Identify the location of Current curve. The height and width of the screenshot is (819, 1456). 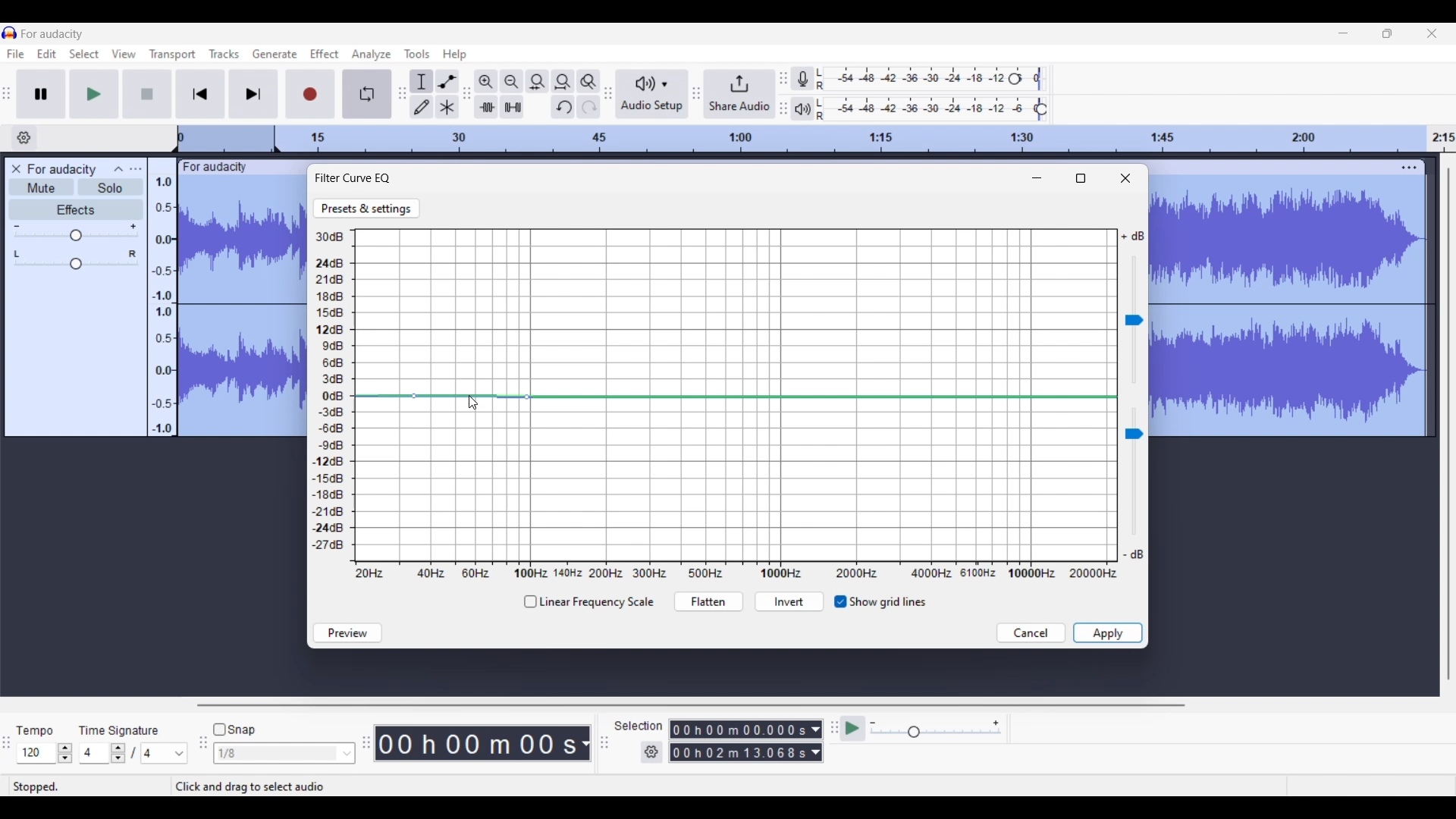
(736, 396).